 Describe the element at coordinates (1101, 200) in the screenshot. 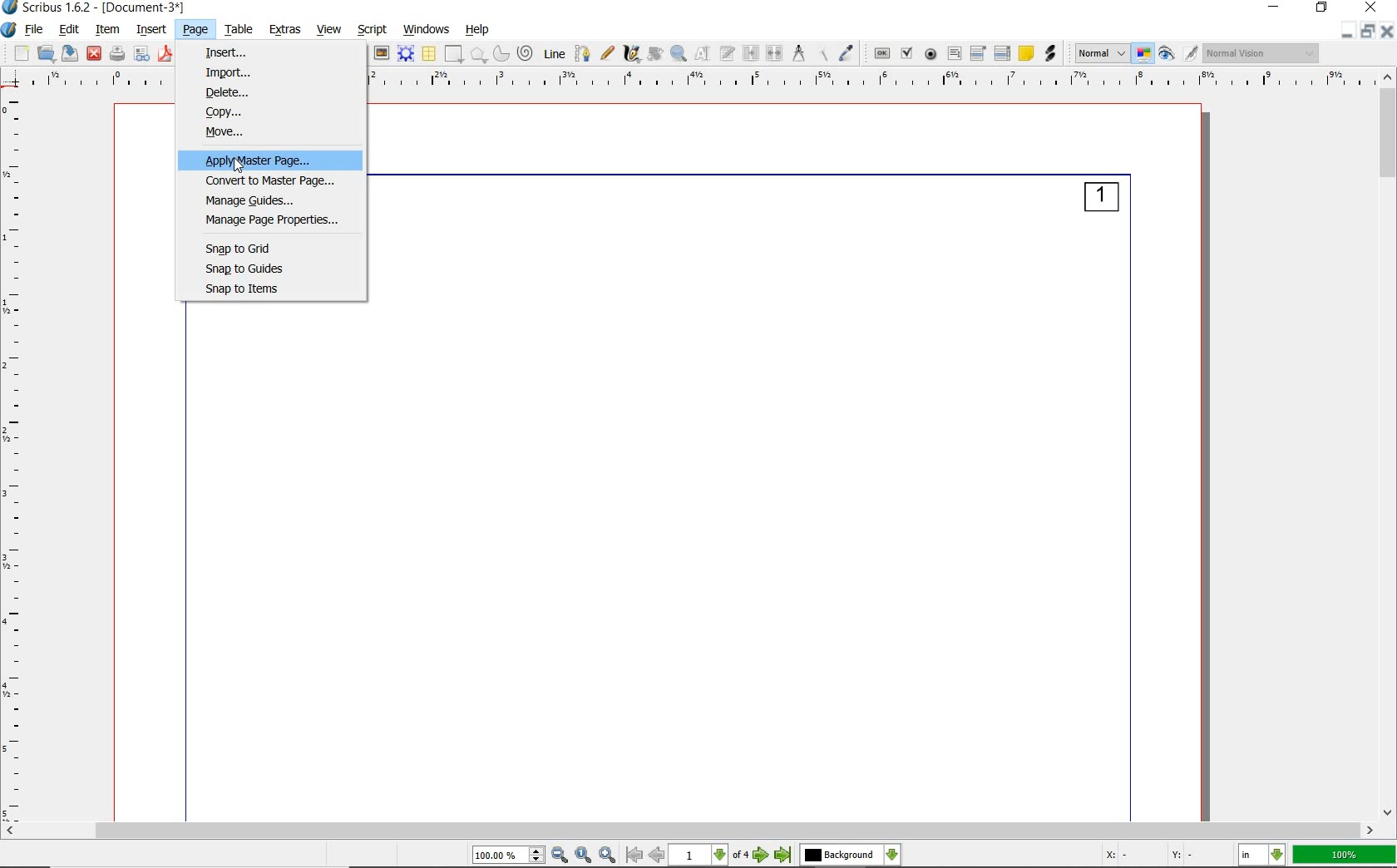

I see `1` at that location.